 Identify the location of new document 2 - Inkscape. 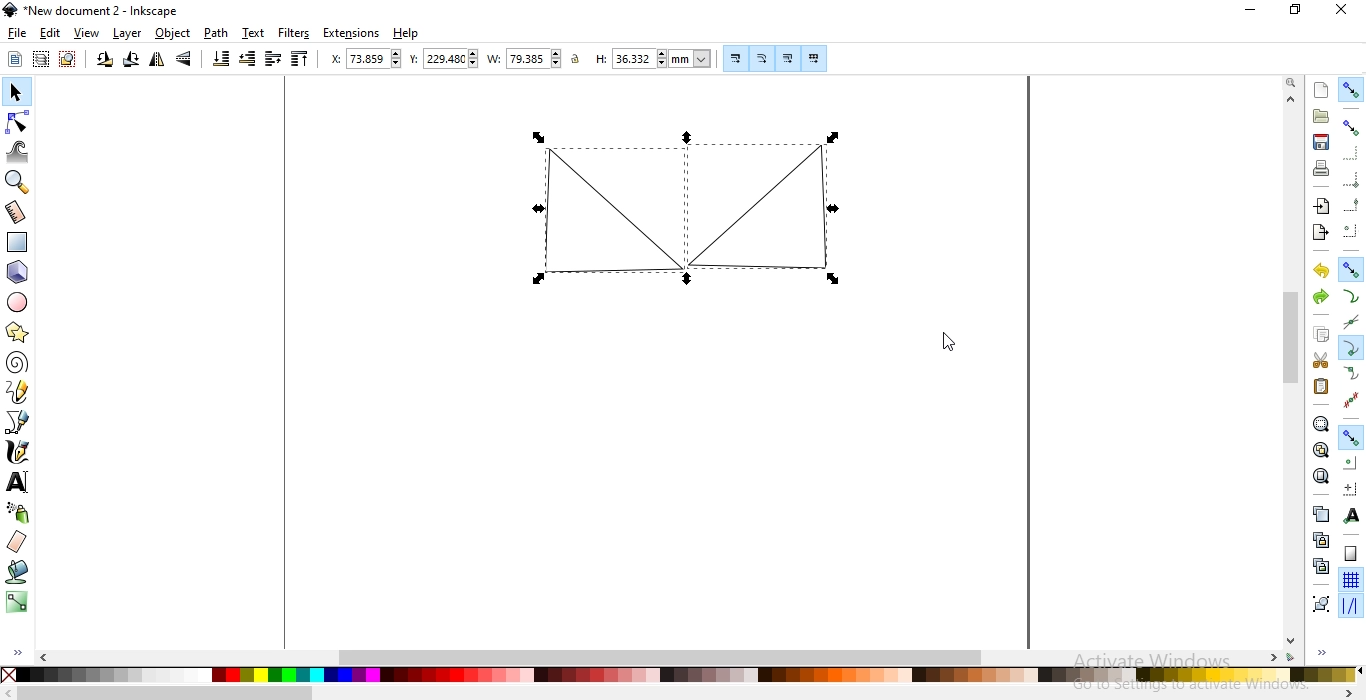
(98, 9).